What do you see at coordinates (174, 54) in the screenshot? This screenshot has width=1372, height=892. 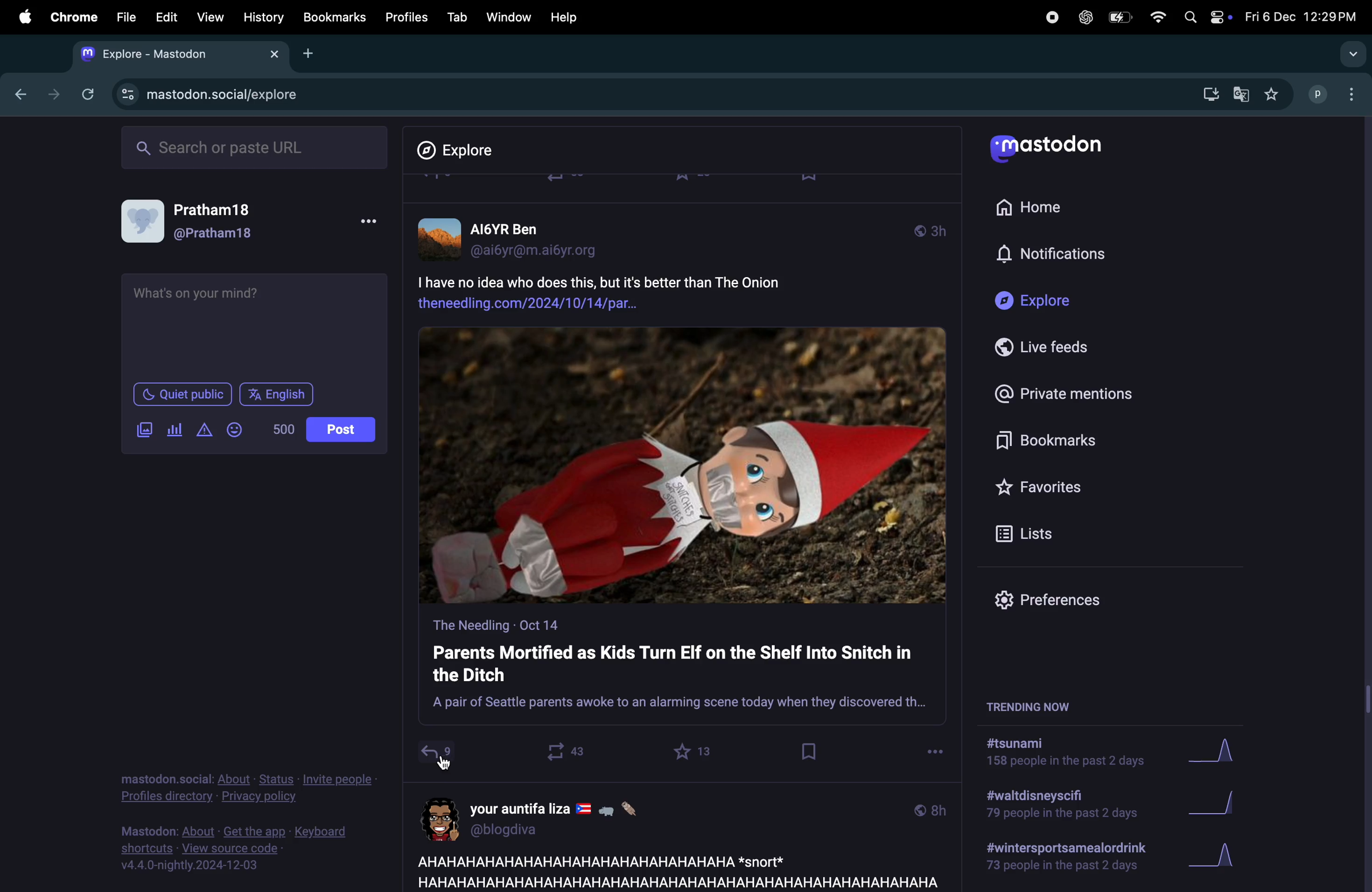 I see `mastodon tab` at bounding box center [174, 54].